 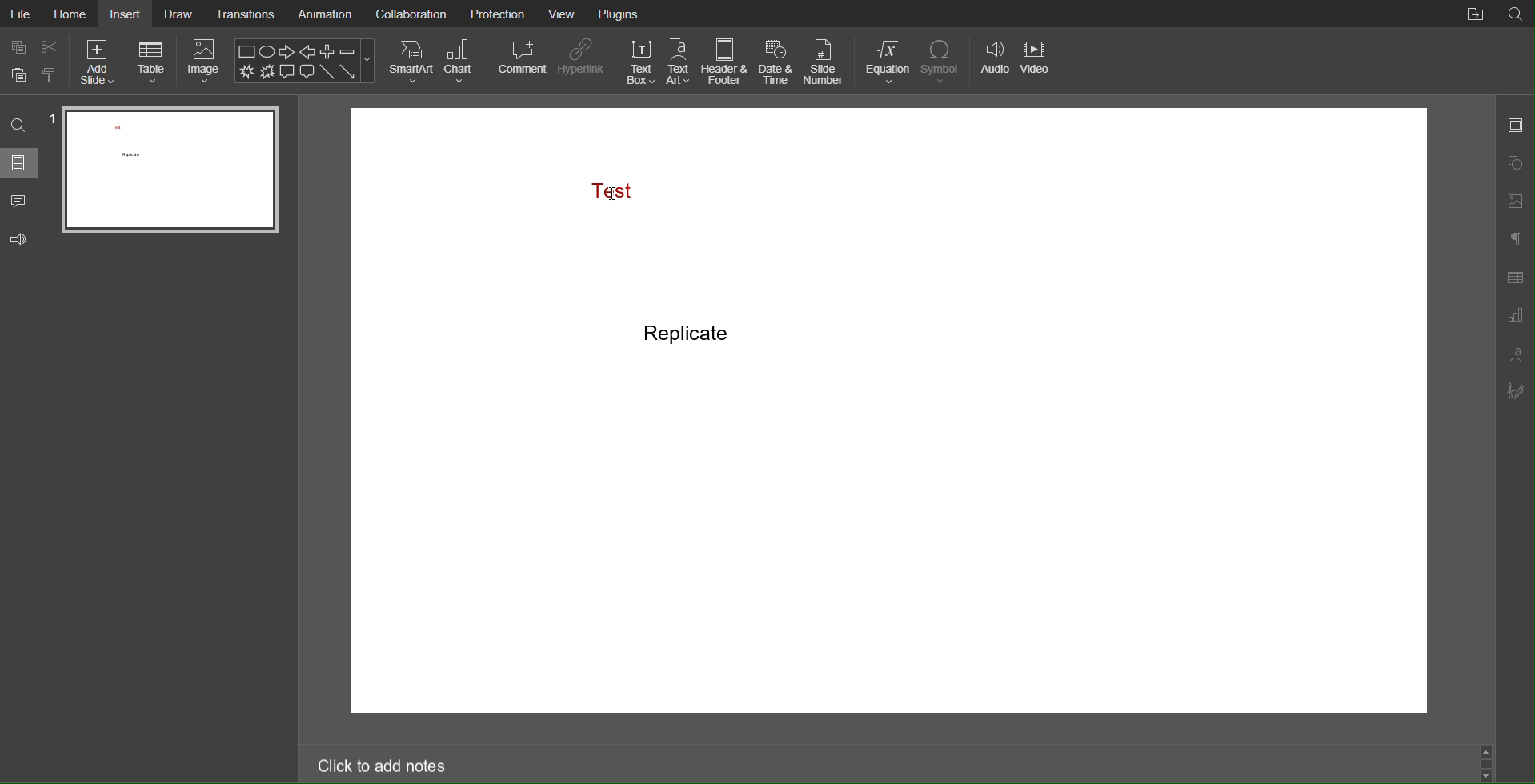 I want to click on Add Slide, so click(x=98, y=62).